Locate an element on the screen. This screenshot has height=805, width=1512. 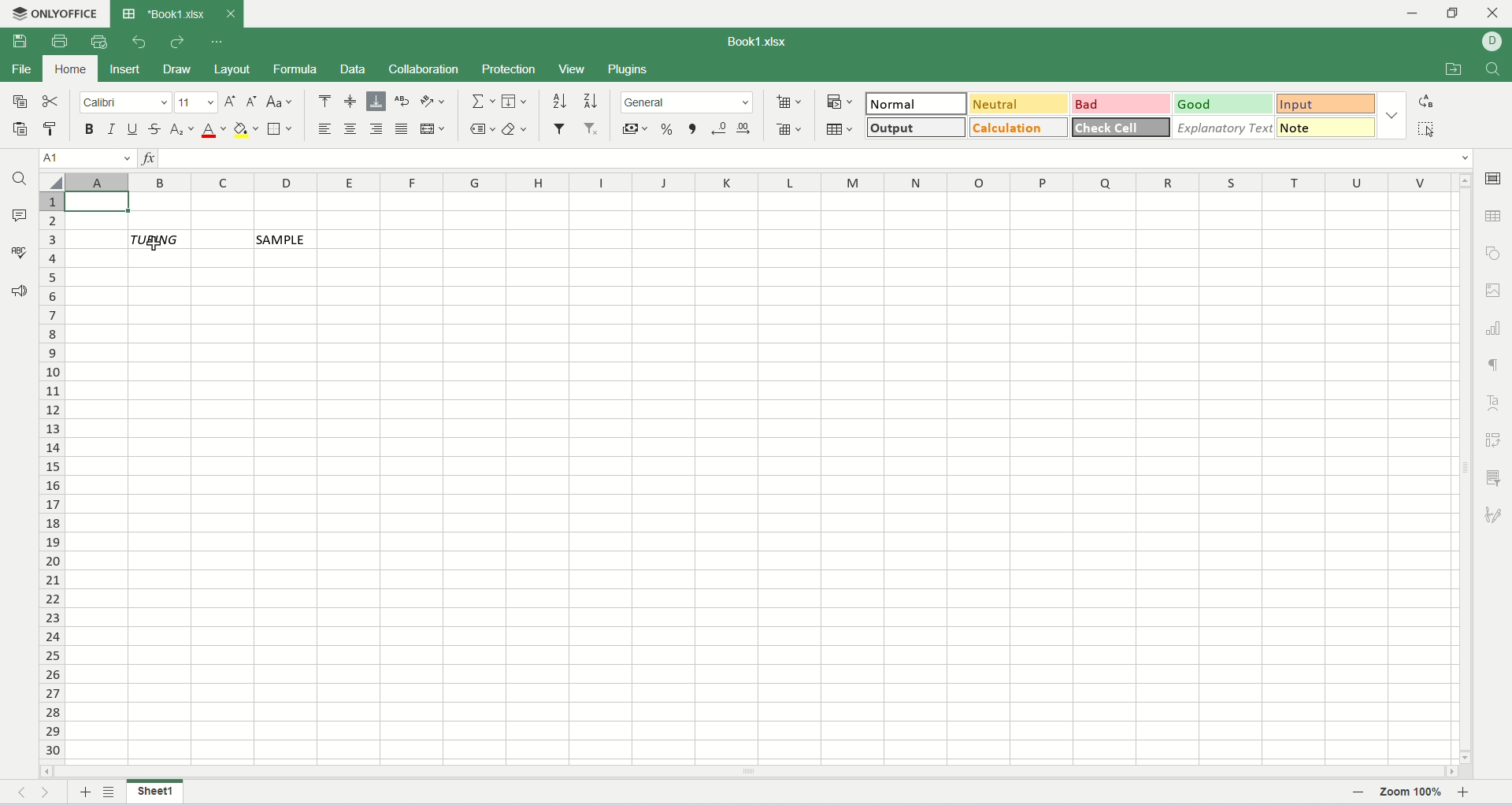
minimize is located at coordinates (1420, 13).